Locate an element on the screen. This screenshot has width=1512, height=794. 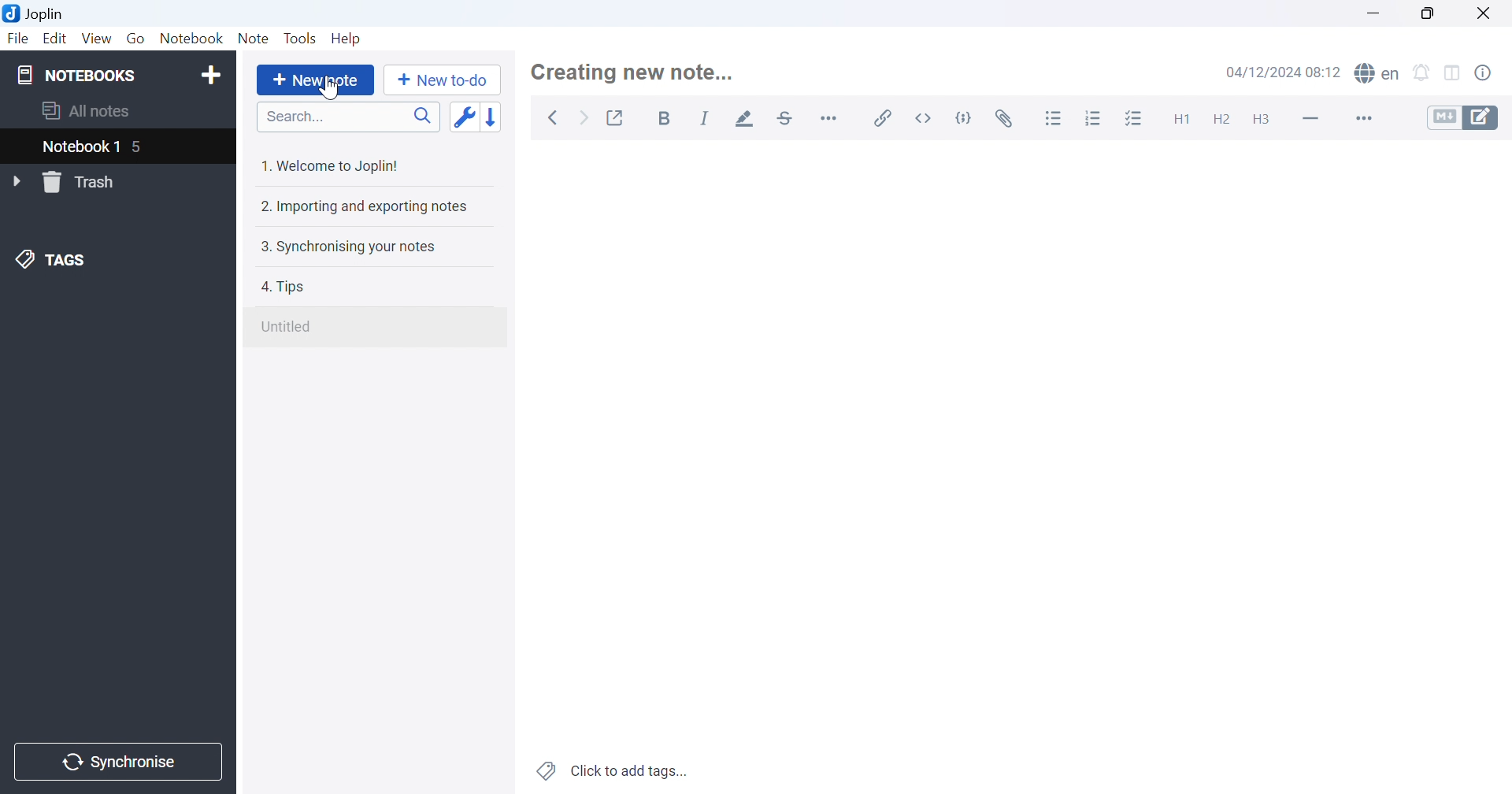
Synchronise is located at coordinates (120, 761).